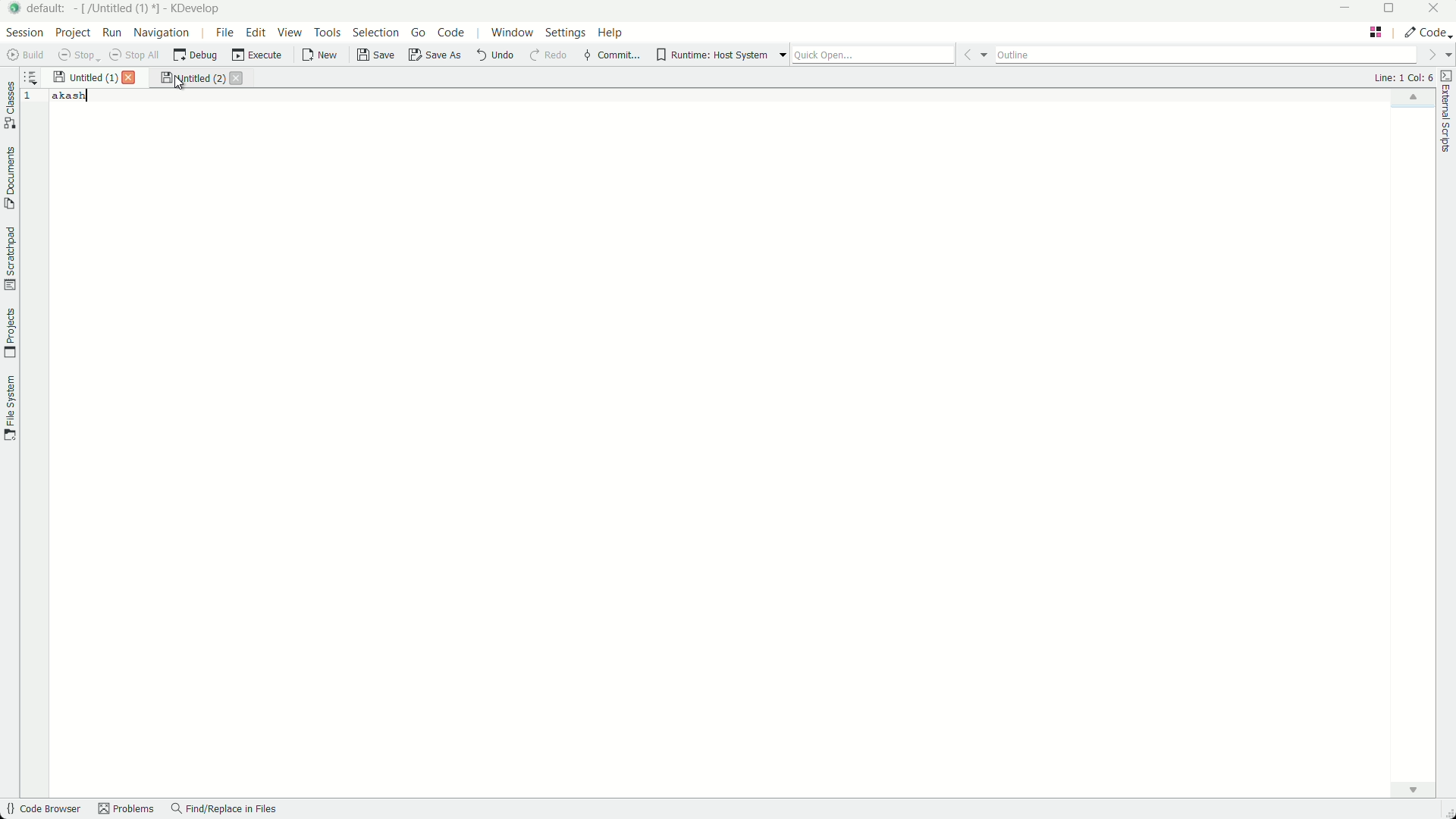 This screenshot has height=819, width=1456. I want to click on settings menu, so click(566, 34).